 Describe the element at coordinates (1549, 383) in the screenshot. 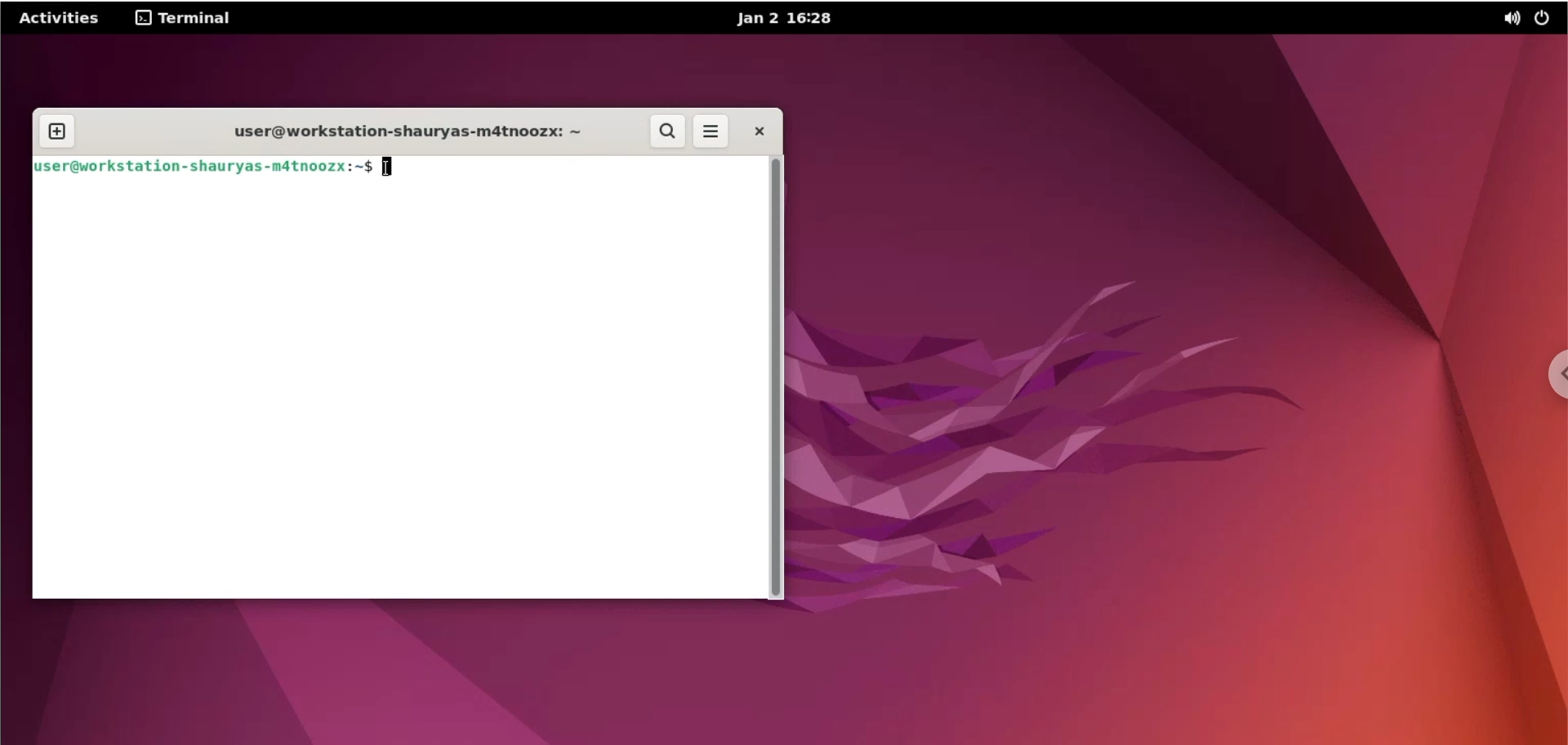

I see `chrome options` at that location.